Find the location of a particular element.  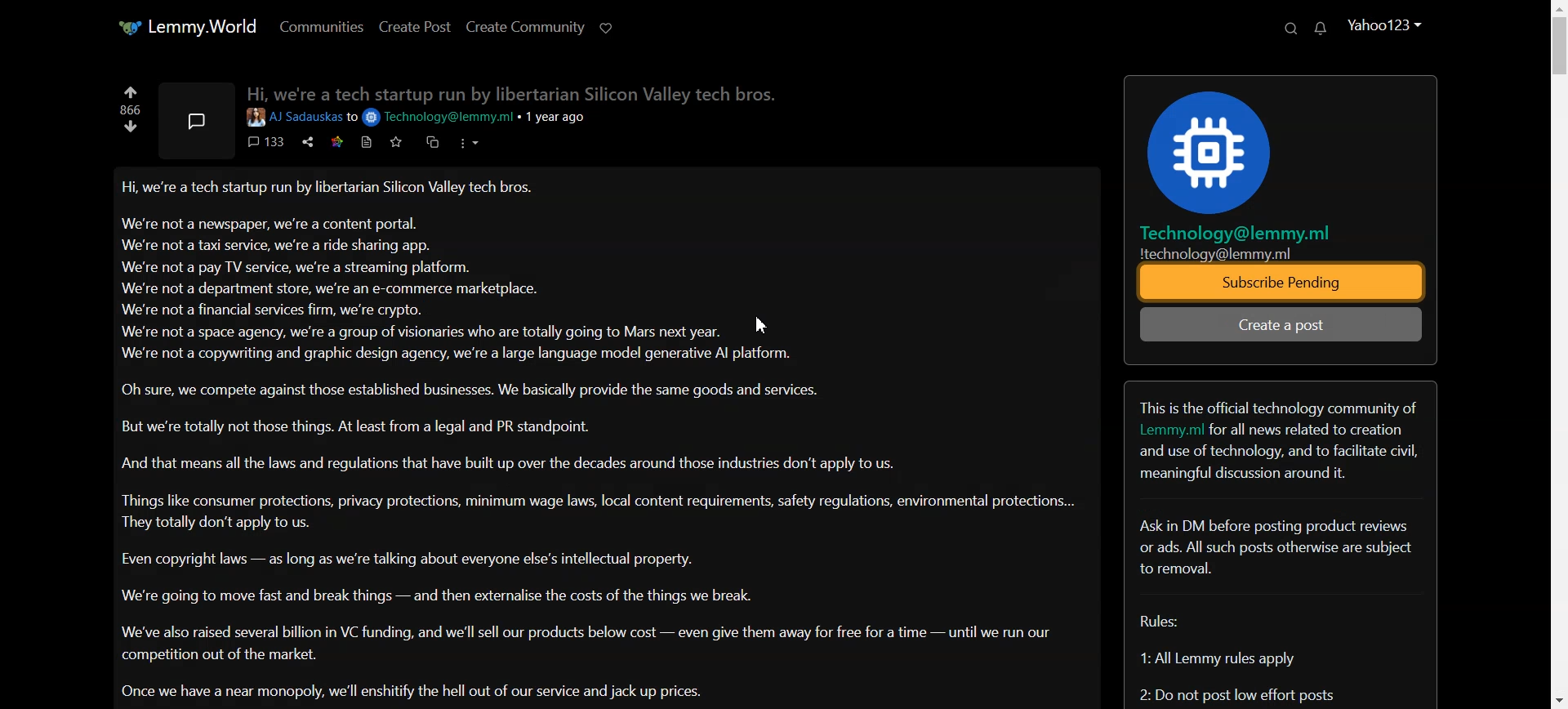

Up is located at coordinates (131, 91).